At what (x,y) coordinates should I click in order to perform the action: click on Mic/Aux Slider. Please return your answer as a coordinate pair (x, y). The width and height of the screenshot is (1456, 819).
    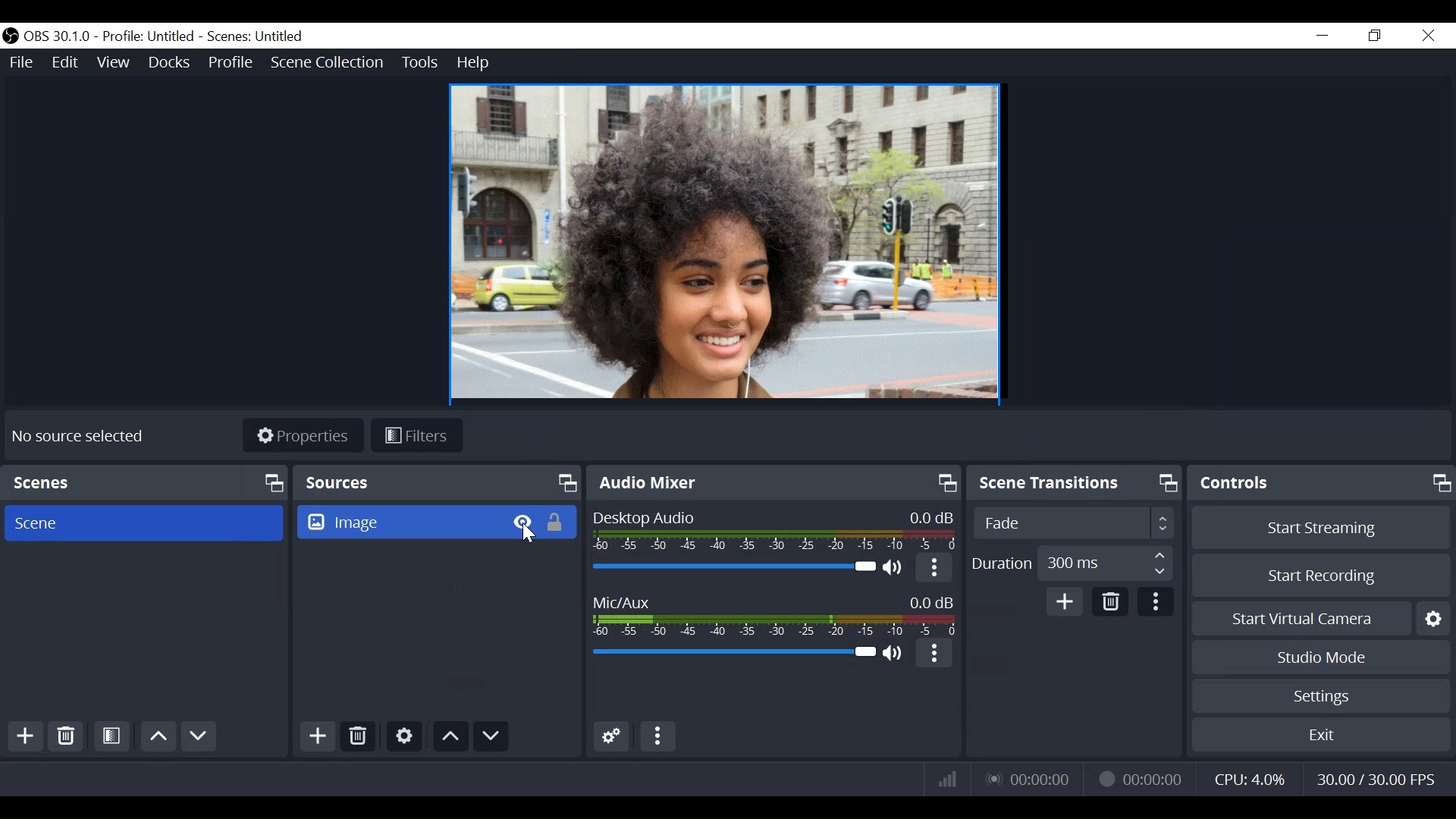
    Looking at the image, I should click on (731, 655).